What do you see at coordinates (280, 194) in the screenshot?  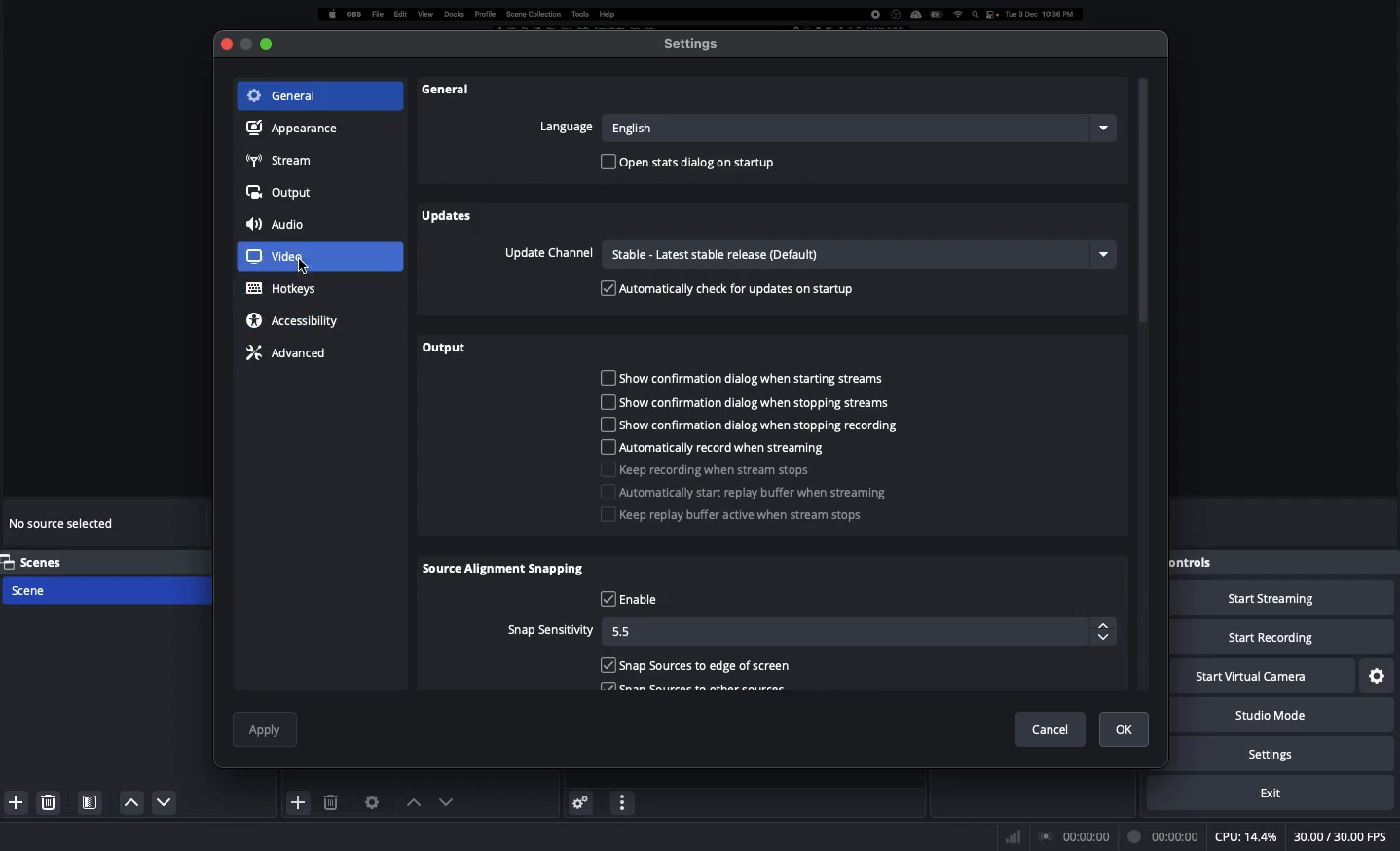 I see `Output` at bounding box center [280, 194].